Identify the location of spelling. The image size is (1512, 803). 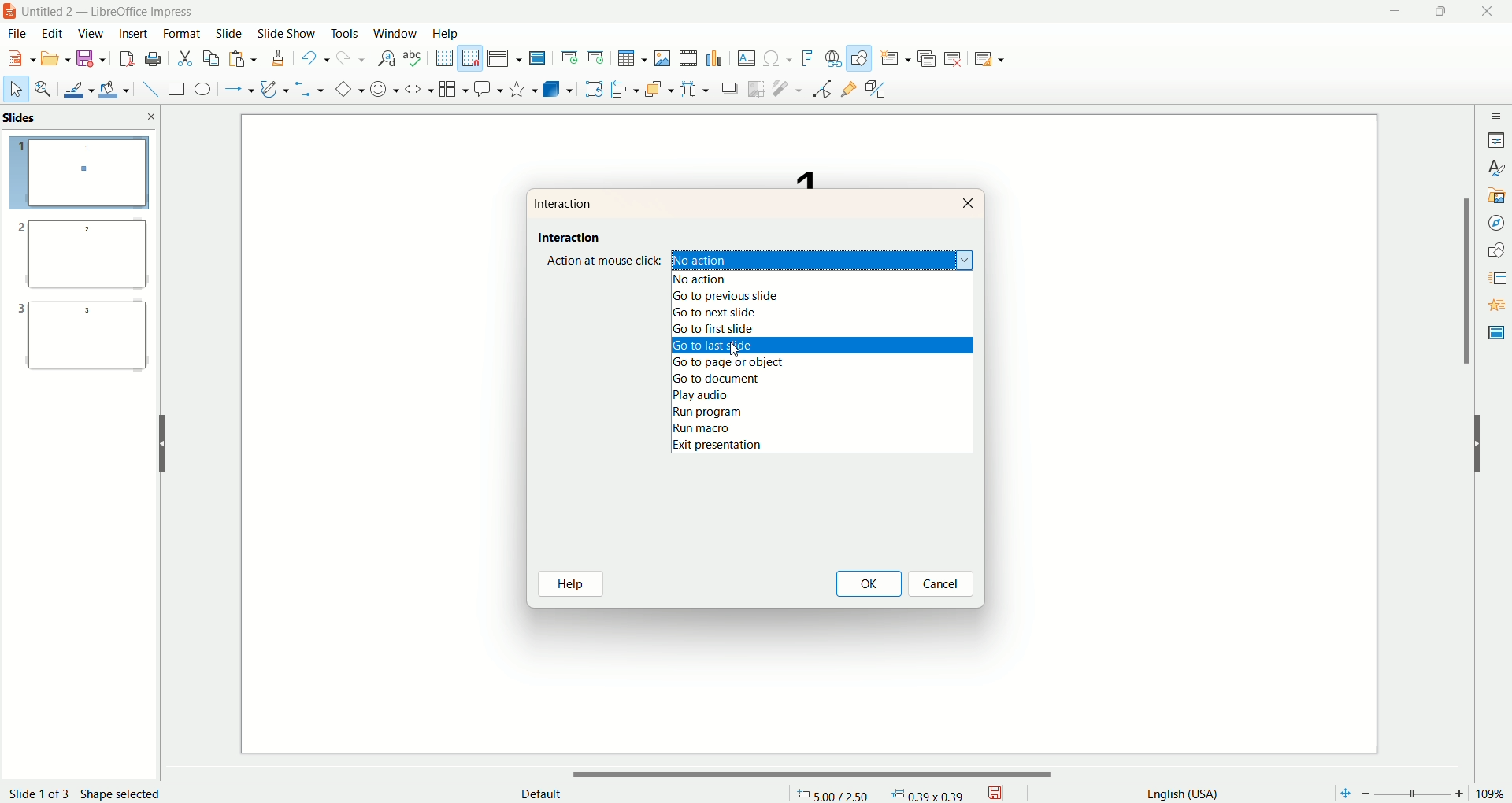
(413, 58).